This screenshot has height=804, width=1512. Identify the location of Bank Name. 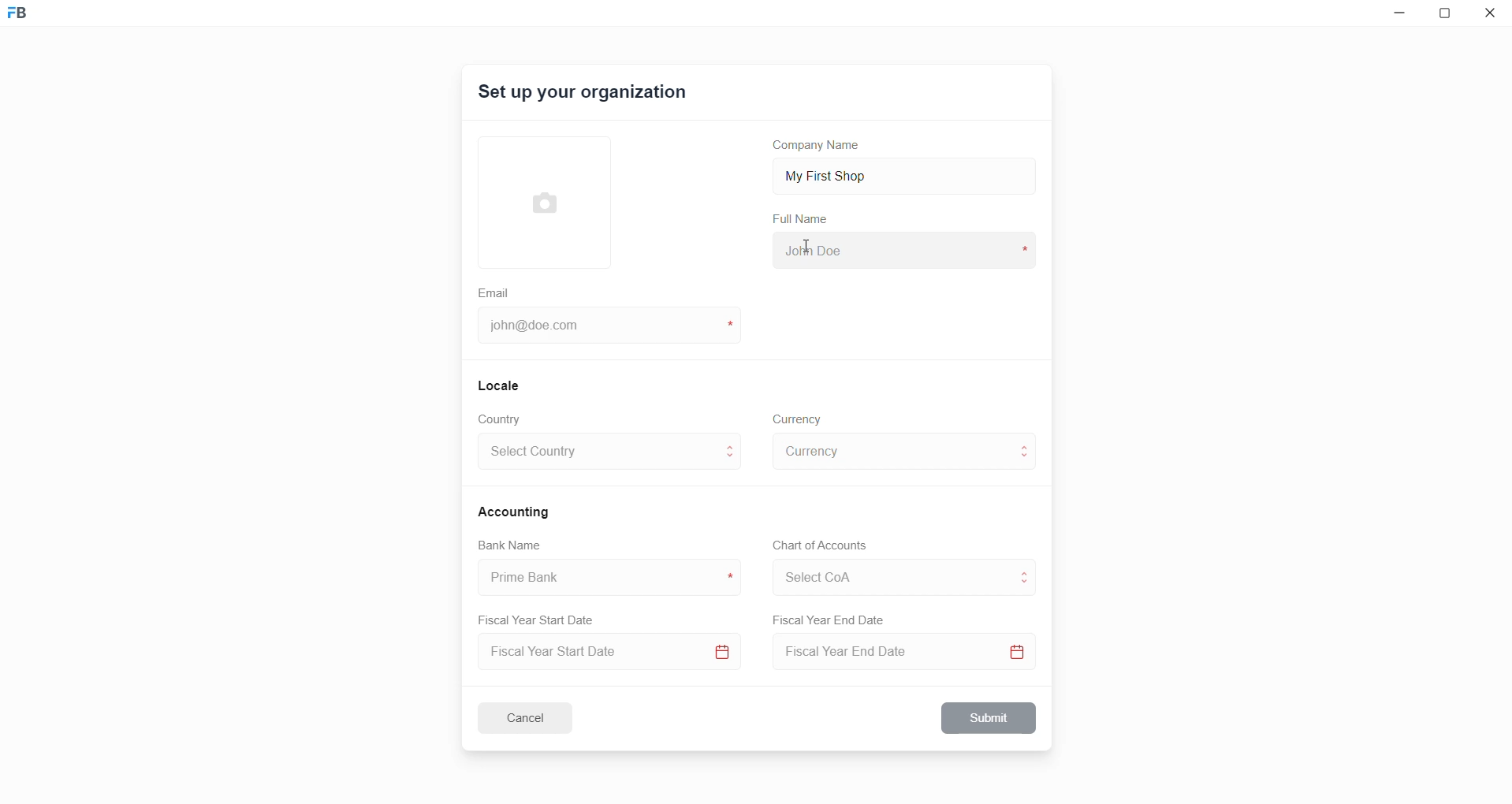
(510, 547).